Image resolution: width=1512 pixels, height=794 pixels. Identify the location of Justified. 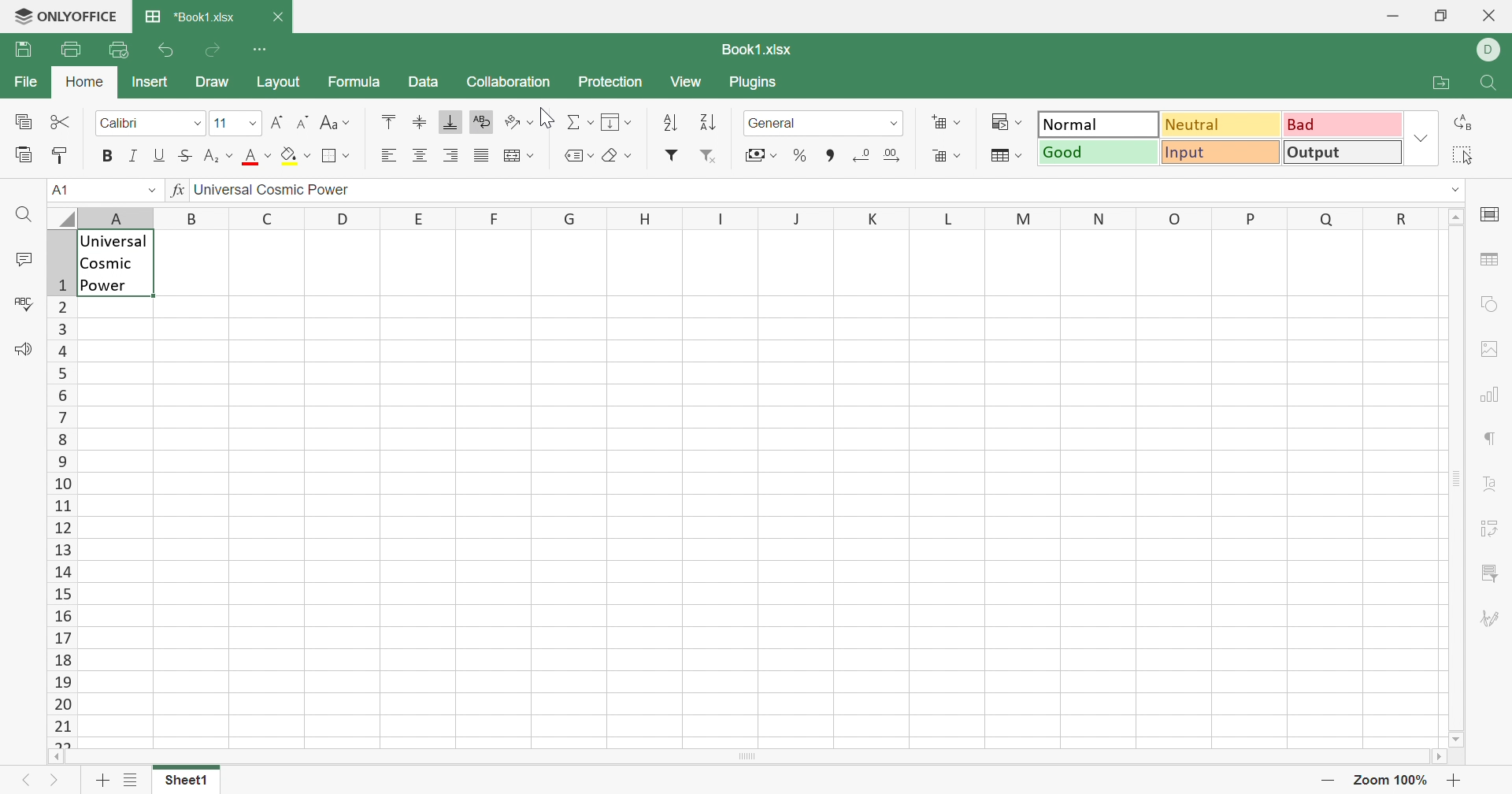
(480, 155).